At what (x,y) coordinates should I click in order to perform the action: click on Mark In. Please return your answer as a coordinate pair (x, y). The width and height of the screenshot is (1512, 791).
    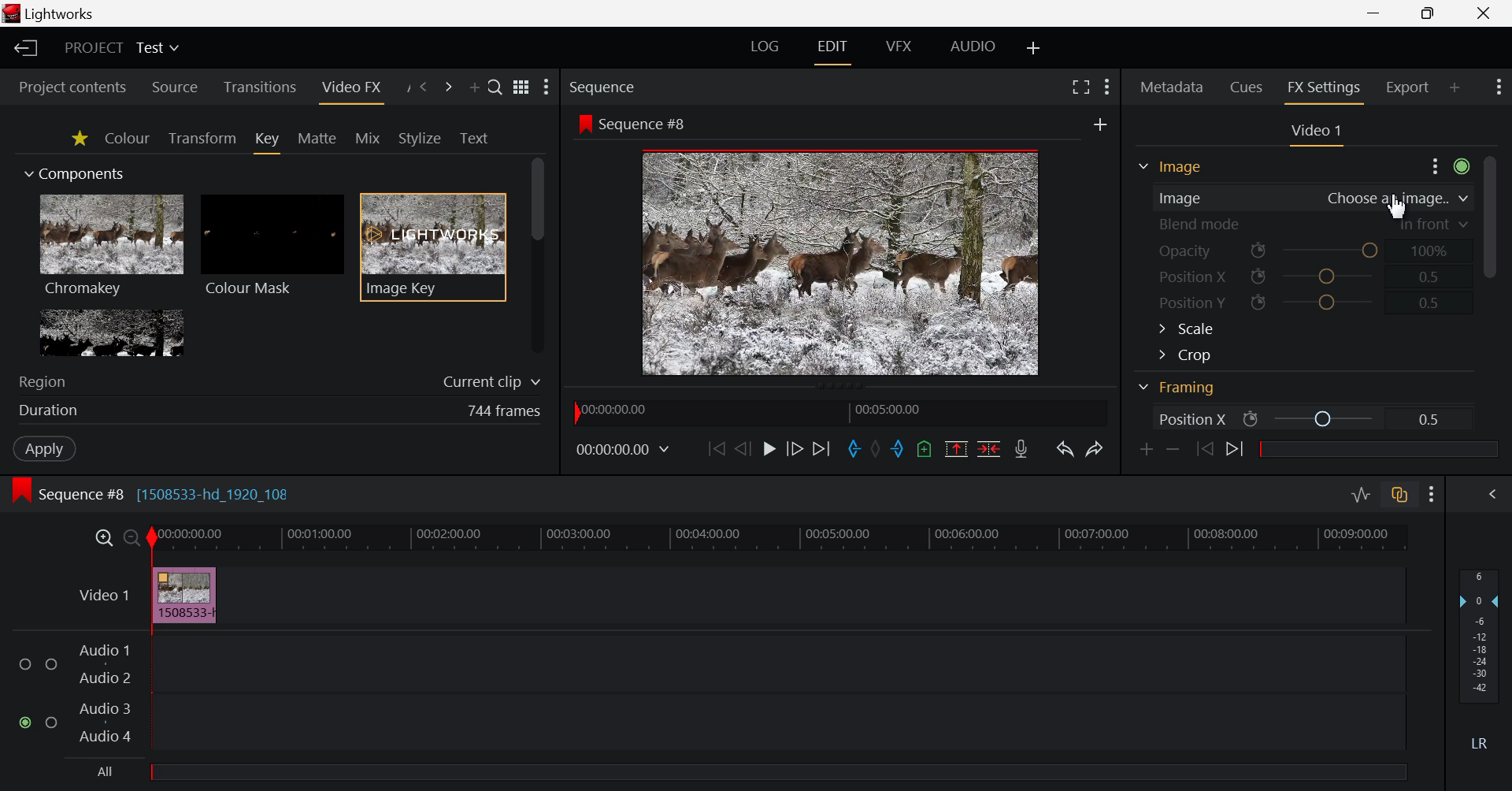
    Looking at the image, I should click on (855, 451).